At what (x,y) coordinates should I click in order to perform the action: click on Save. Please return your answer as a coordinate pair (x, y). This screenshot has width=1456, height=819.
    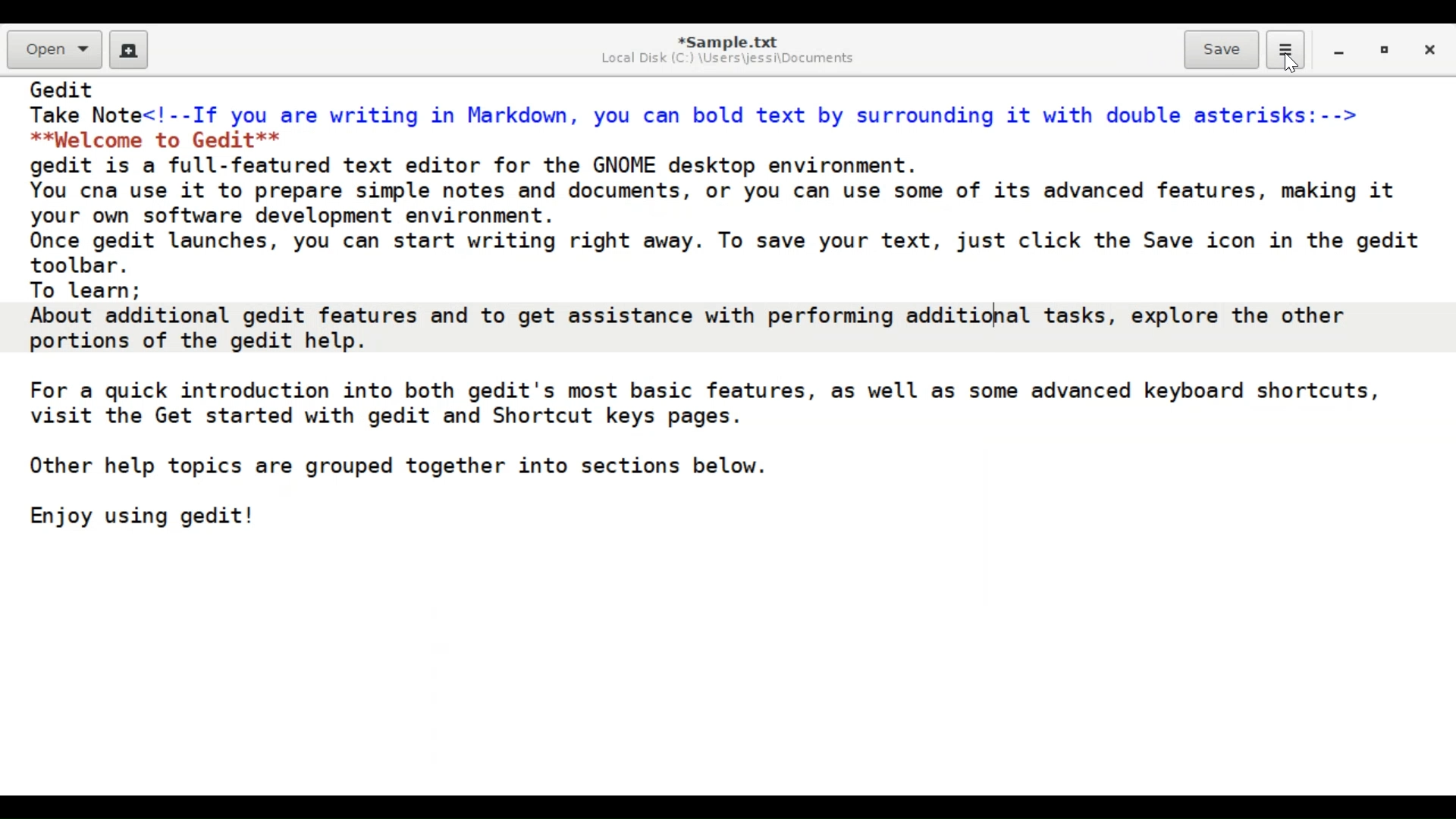
    Looking at the image, I should click on (1222, 48).